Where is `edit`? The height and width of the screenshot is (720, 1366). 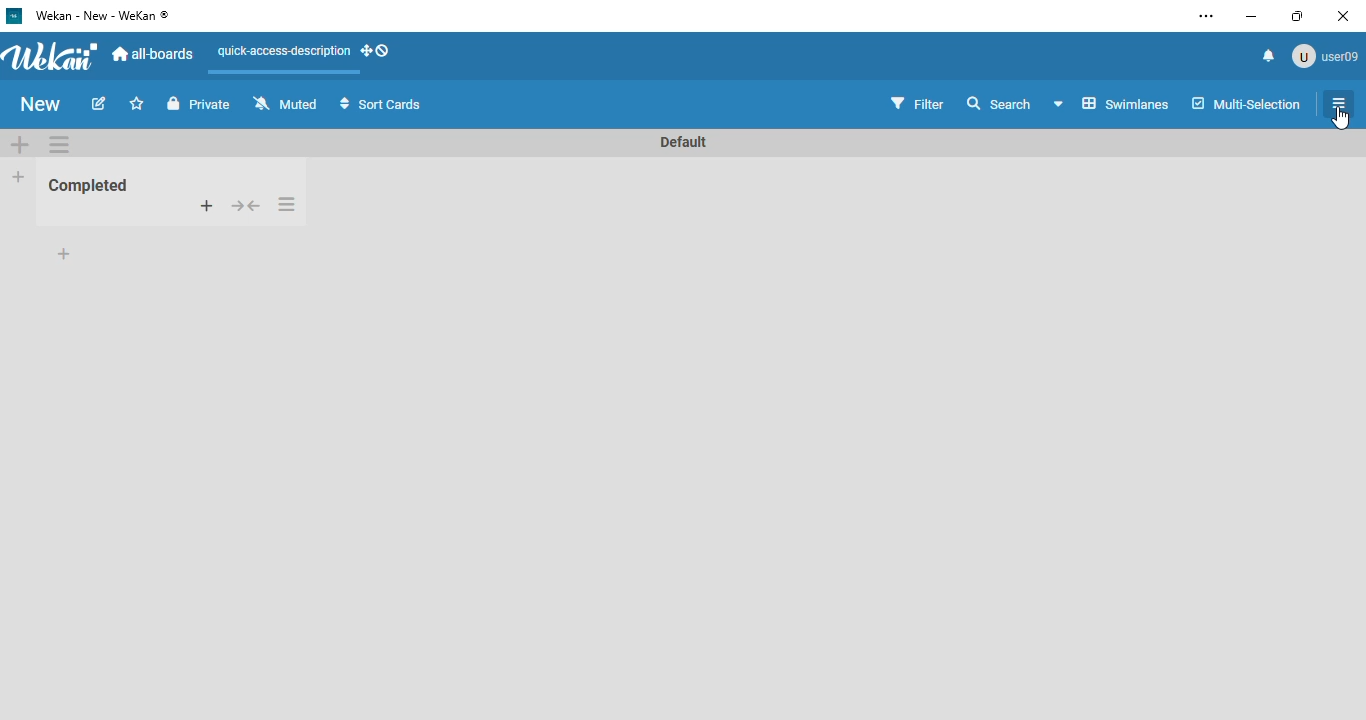
edit is located at coordinates (98, 103).